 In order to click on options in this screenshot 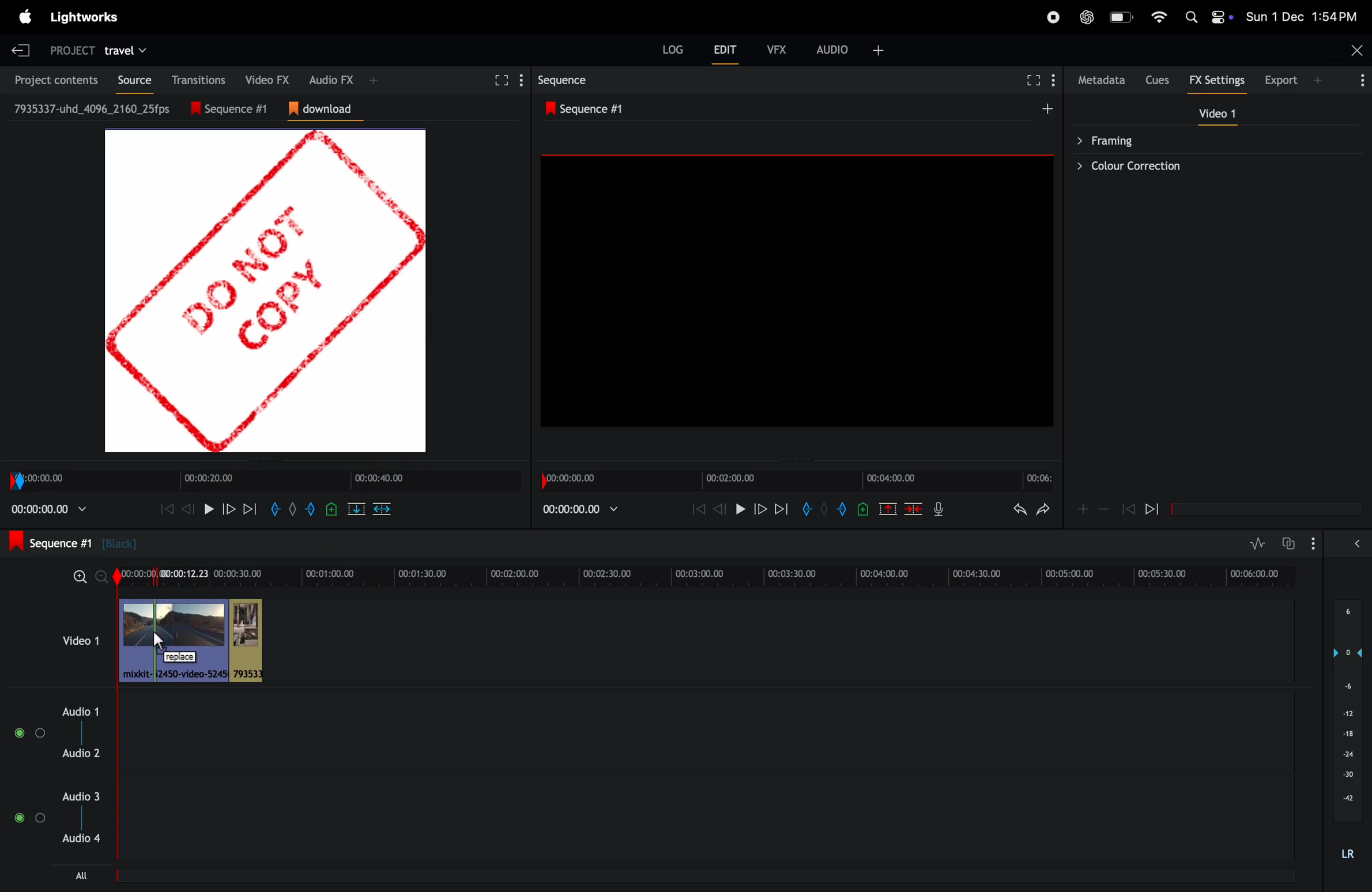, I will do `click(1313, 543)`.